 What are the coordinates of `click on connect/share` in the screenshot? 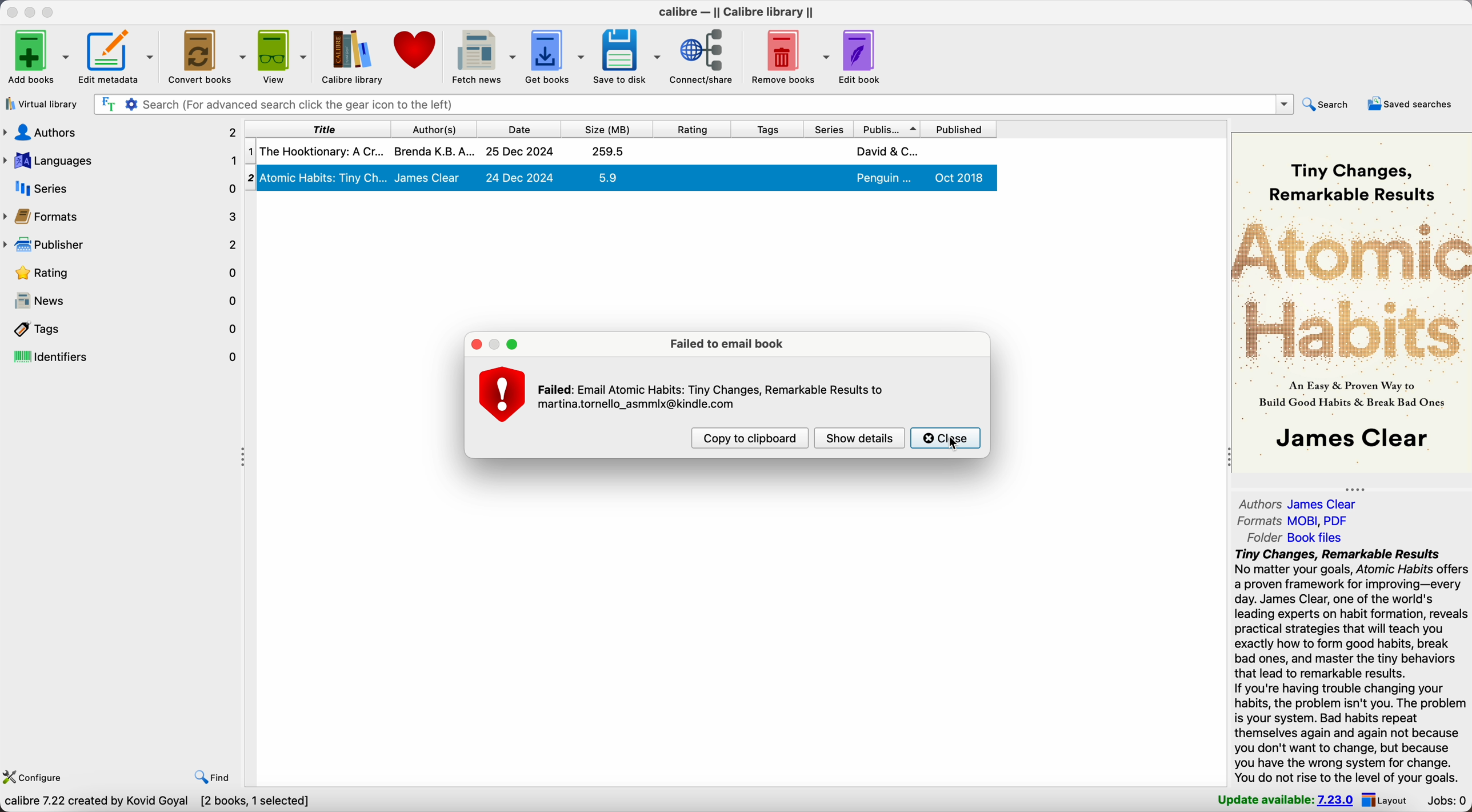 It's located at (702, 58).